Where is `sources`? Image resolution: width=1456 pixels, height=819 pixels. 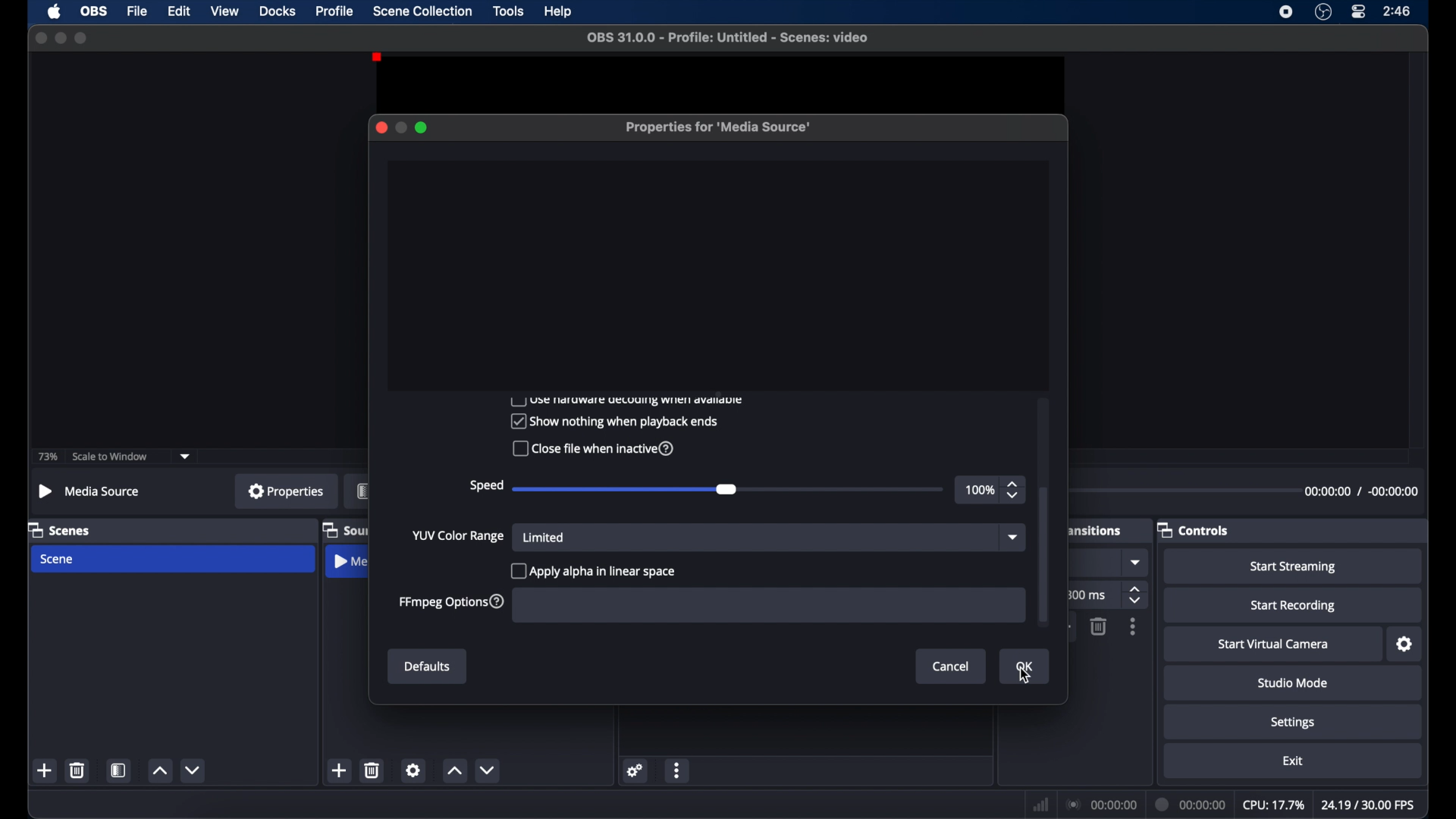
sources is located at coordinates (345, 529).